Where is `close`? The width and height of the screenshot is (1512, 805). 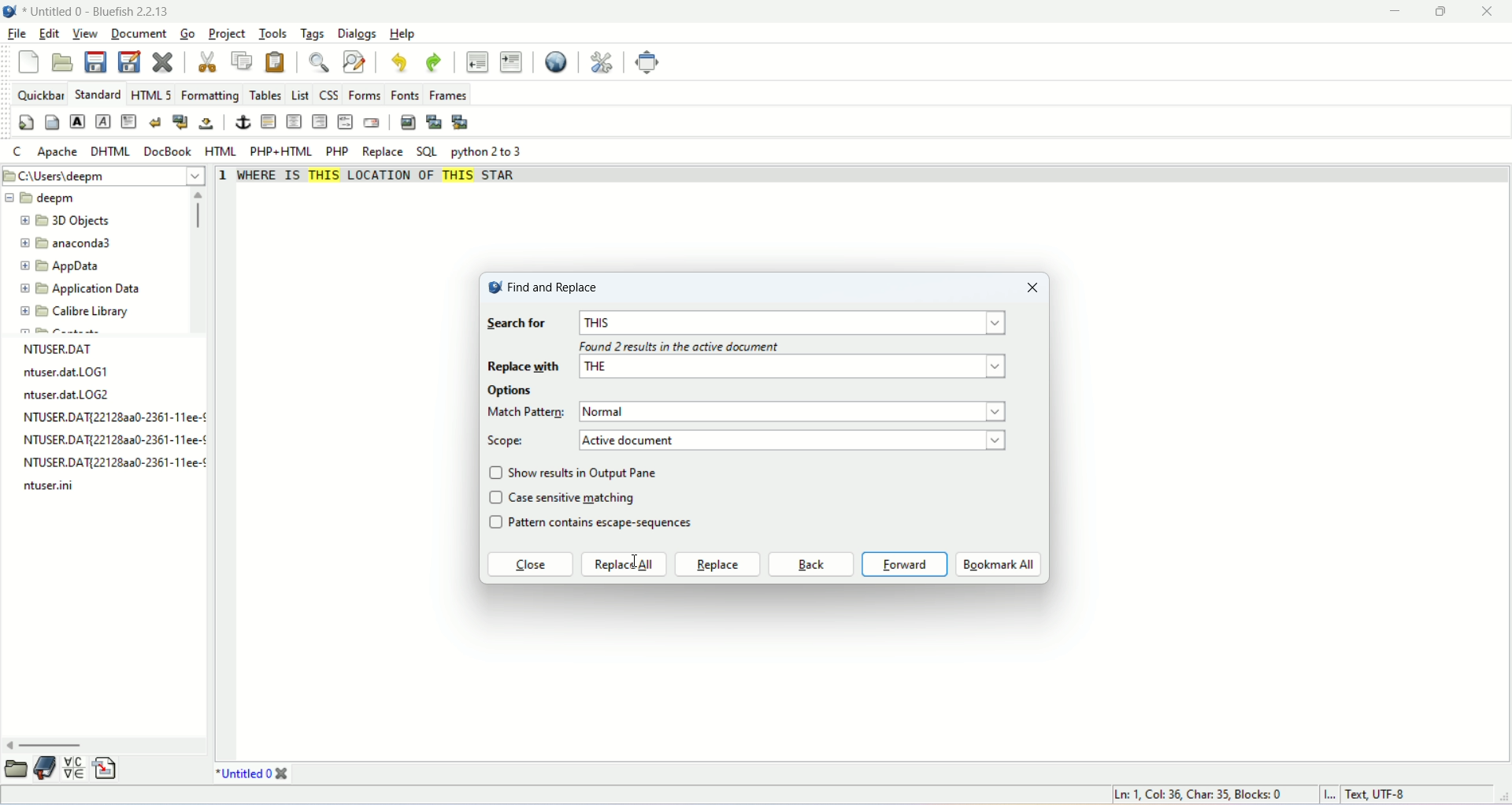 close is located at coordinates (162, 61).